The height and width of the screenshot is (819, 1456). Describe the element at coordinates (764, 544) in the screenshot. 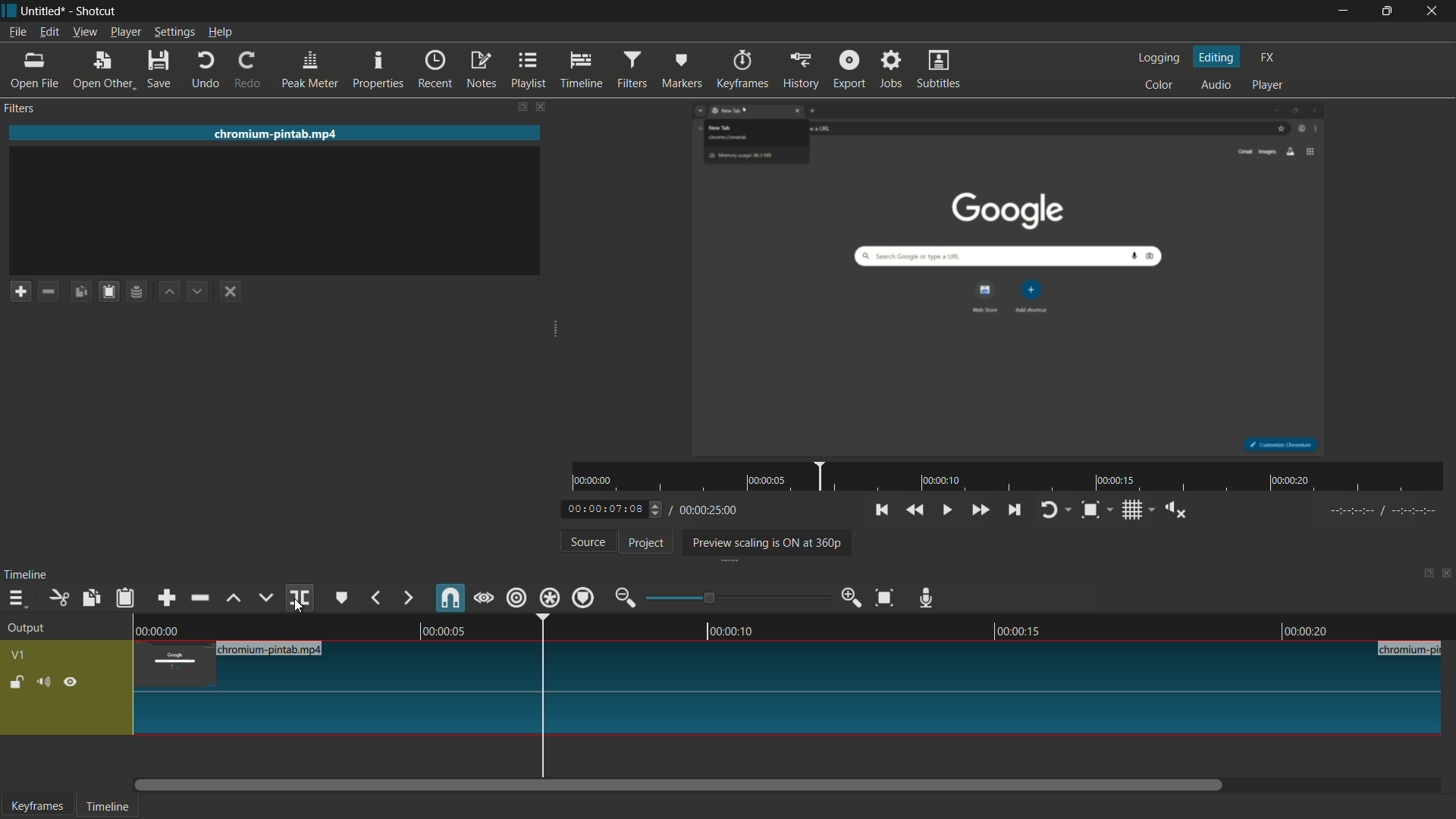

I see `preview scaling is on at 360p` at that location.